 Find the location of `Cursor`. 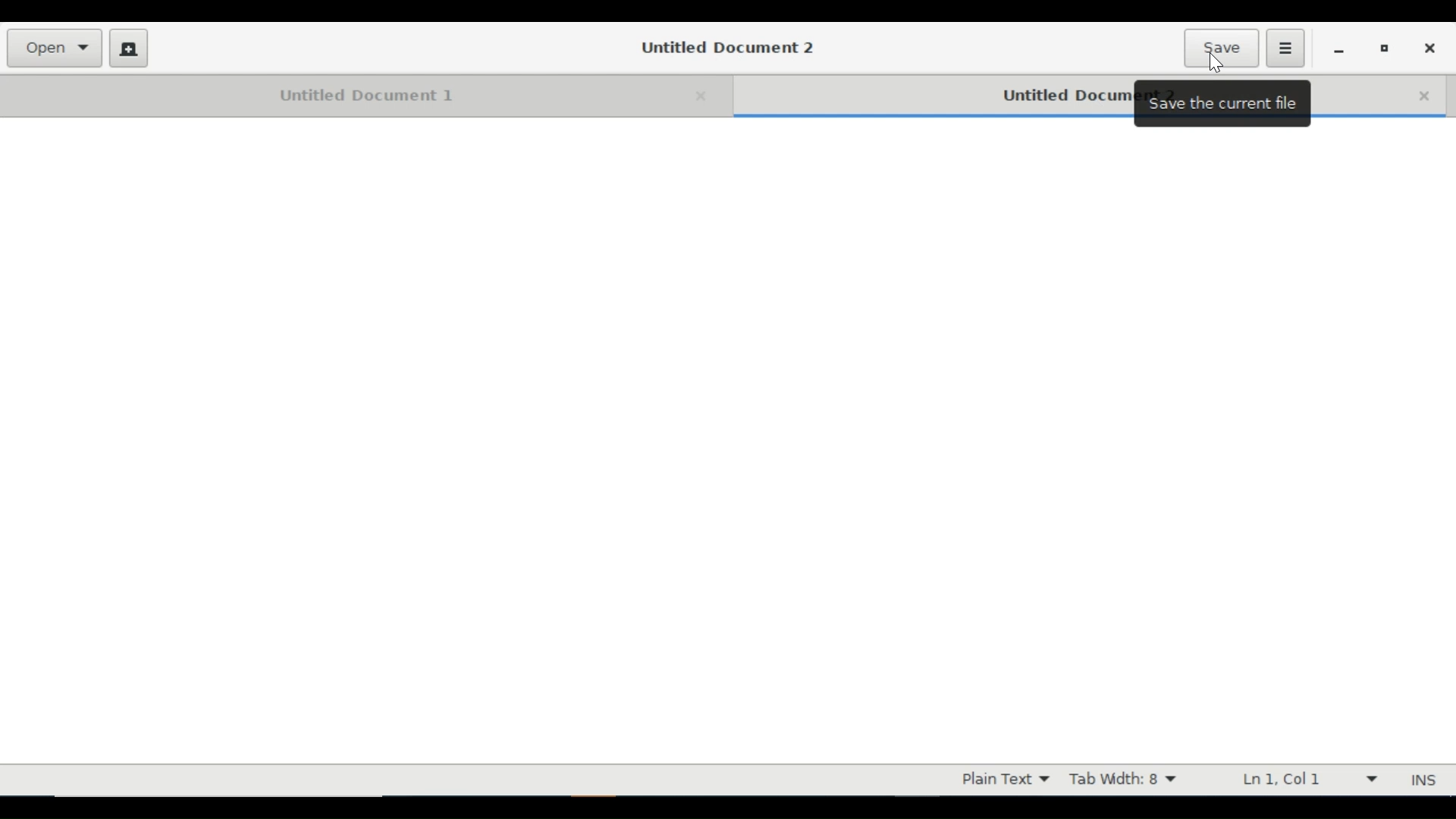

Cursor is located at coordinates (1216, 62).